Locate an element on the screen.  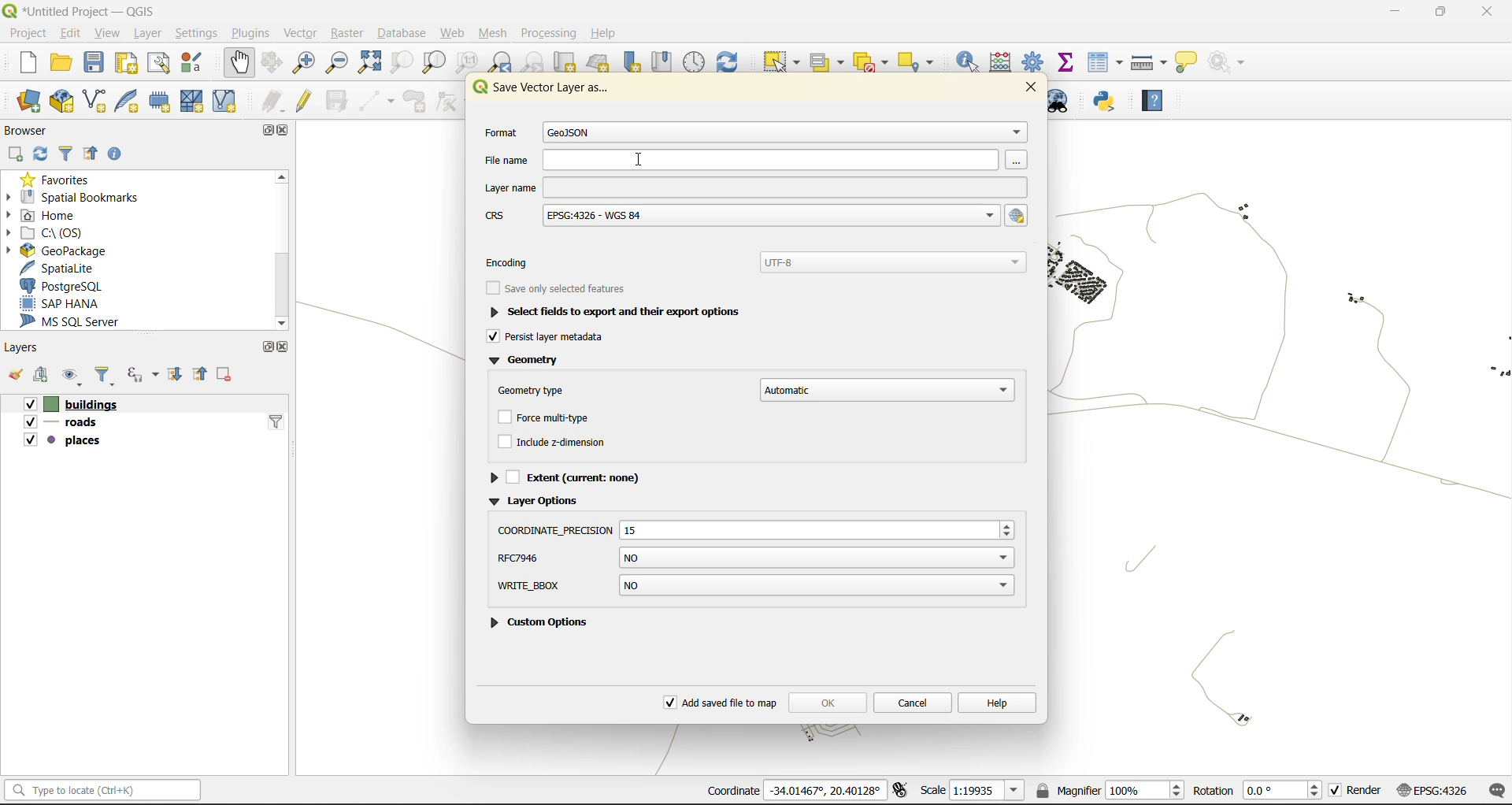
measure line is located at coordinates (1148, 65).